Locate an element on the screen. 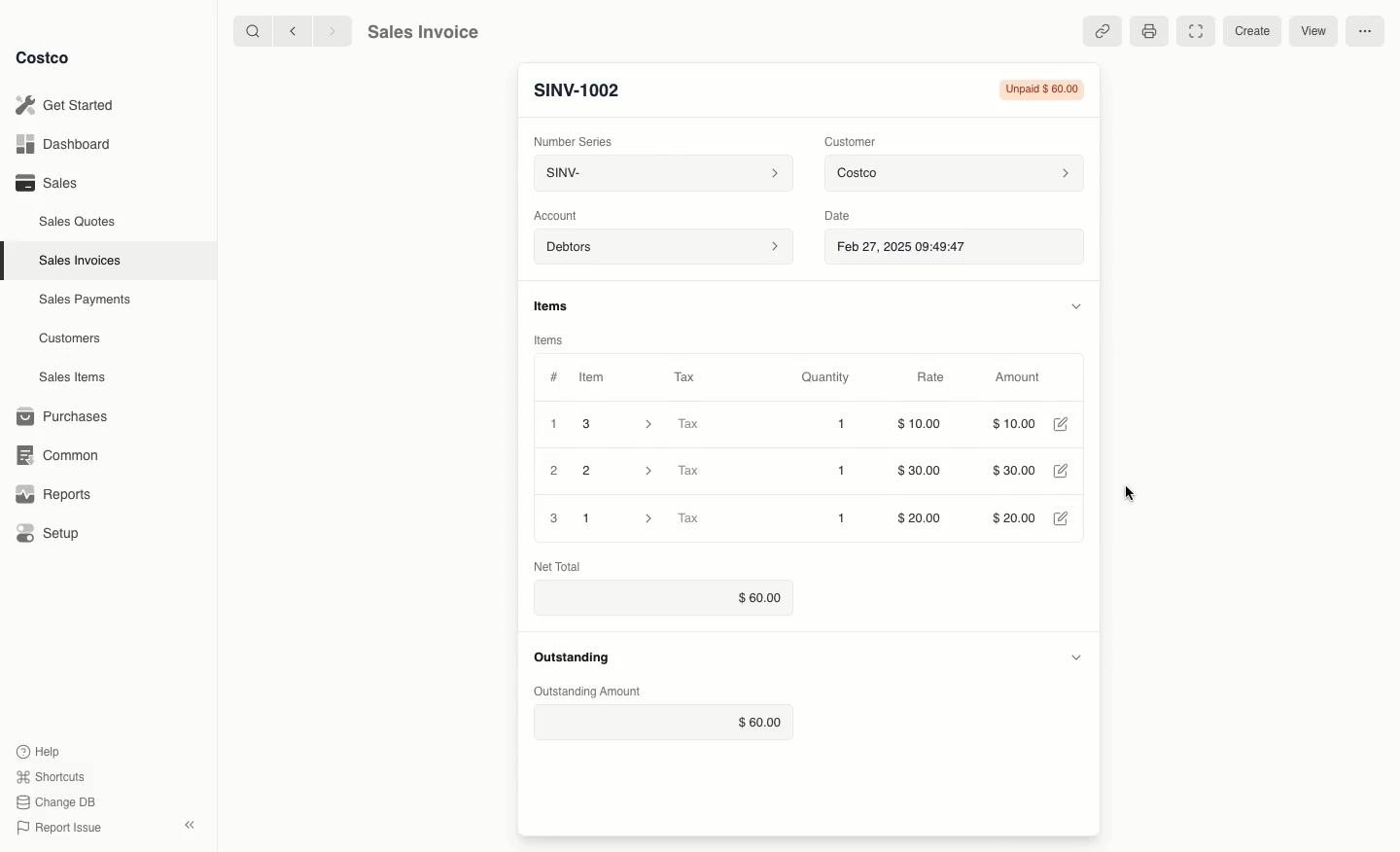  ‘Sales Payments is located at coordinates (85, 298).